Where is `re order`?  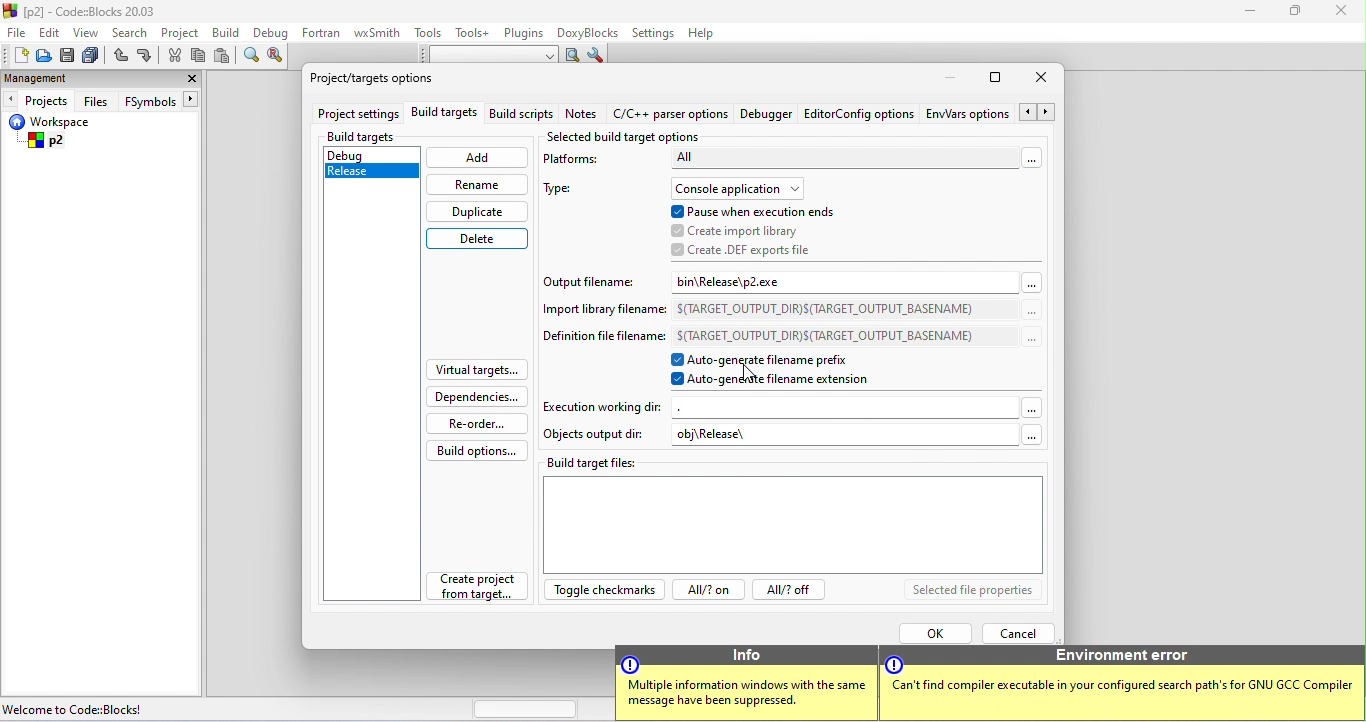
re order is located at coordinates (473, 423).